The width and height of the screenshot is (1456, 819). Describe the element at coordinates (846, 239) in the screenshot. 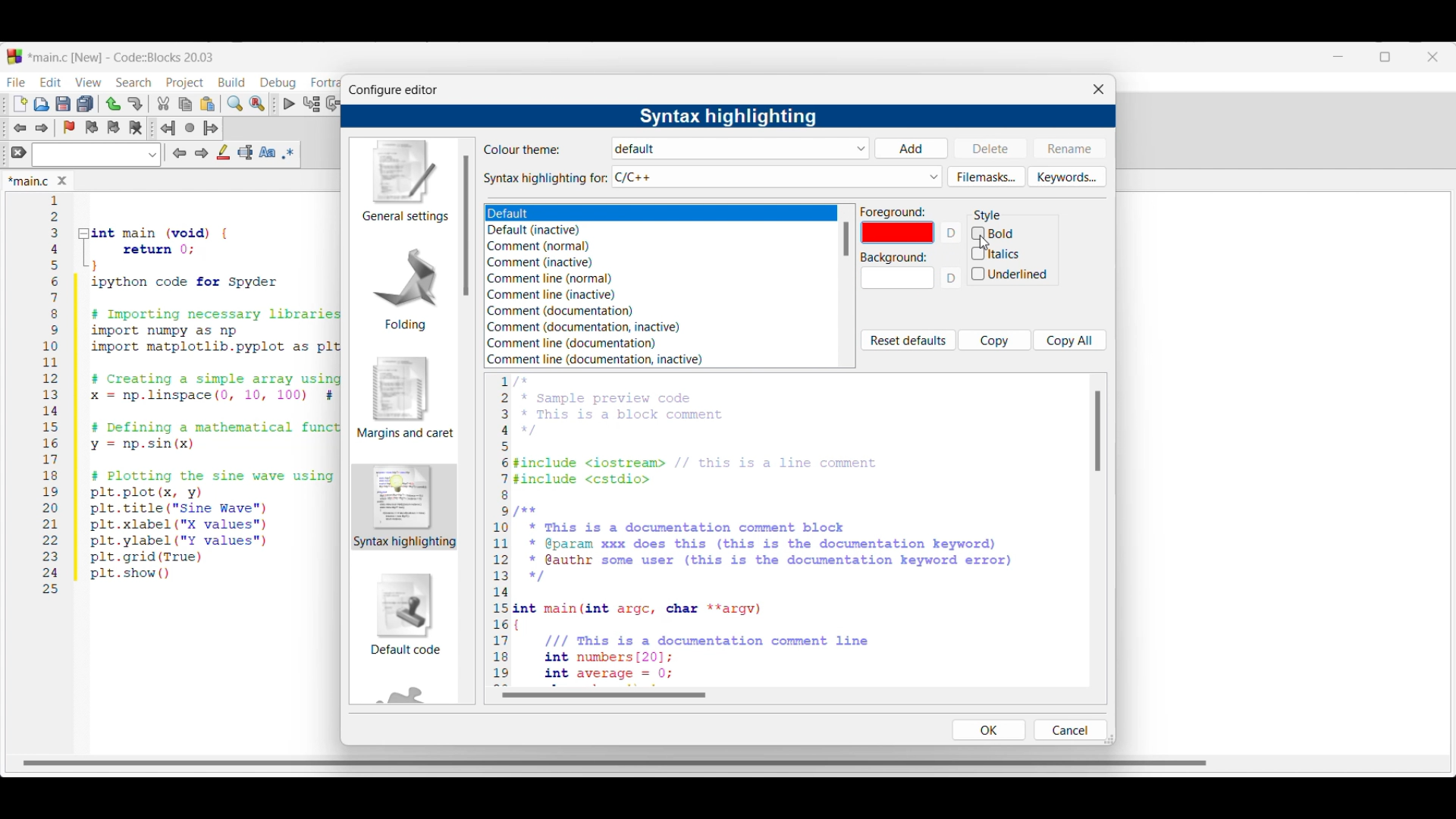

I see `Vertical slide bar` at that location.